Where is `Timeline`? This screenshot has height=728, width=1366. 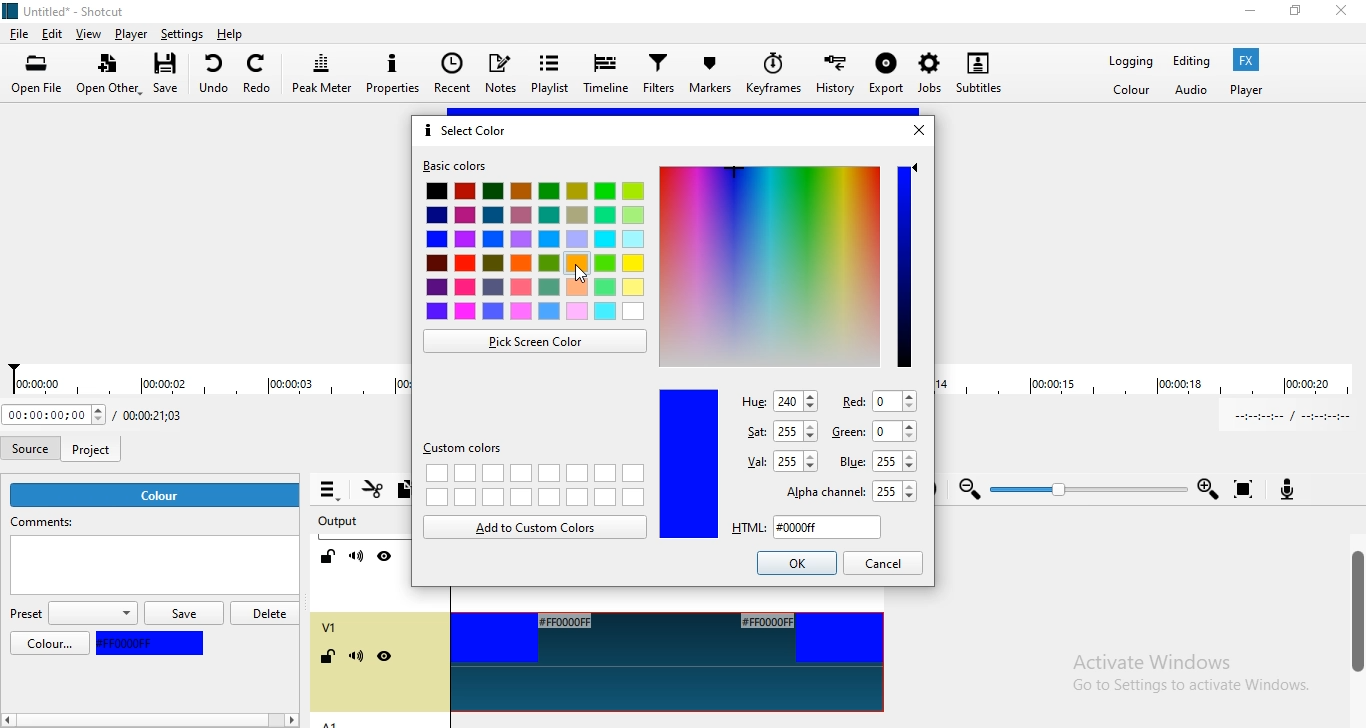 Timeline is located at coordinates (608, 74).